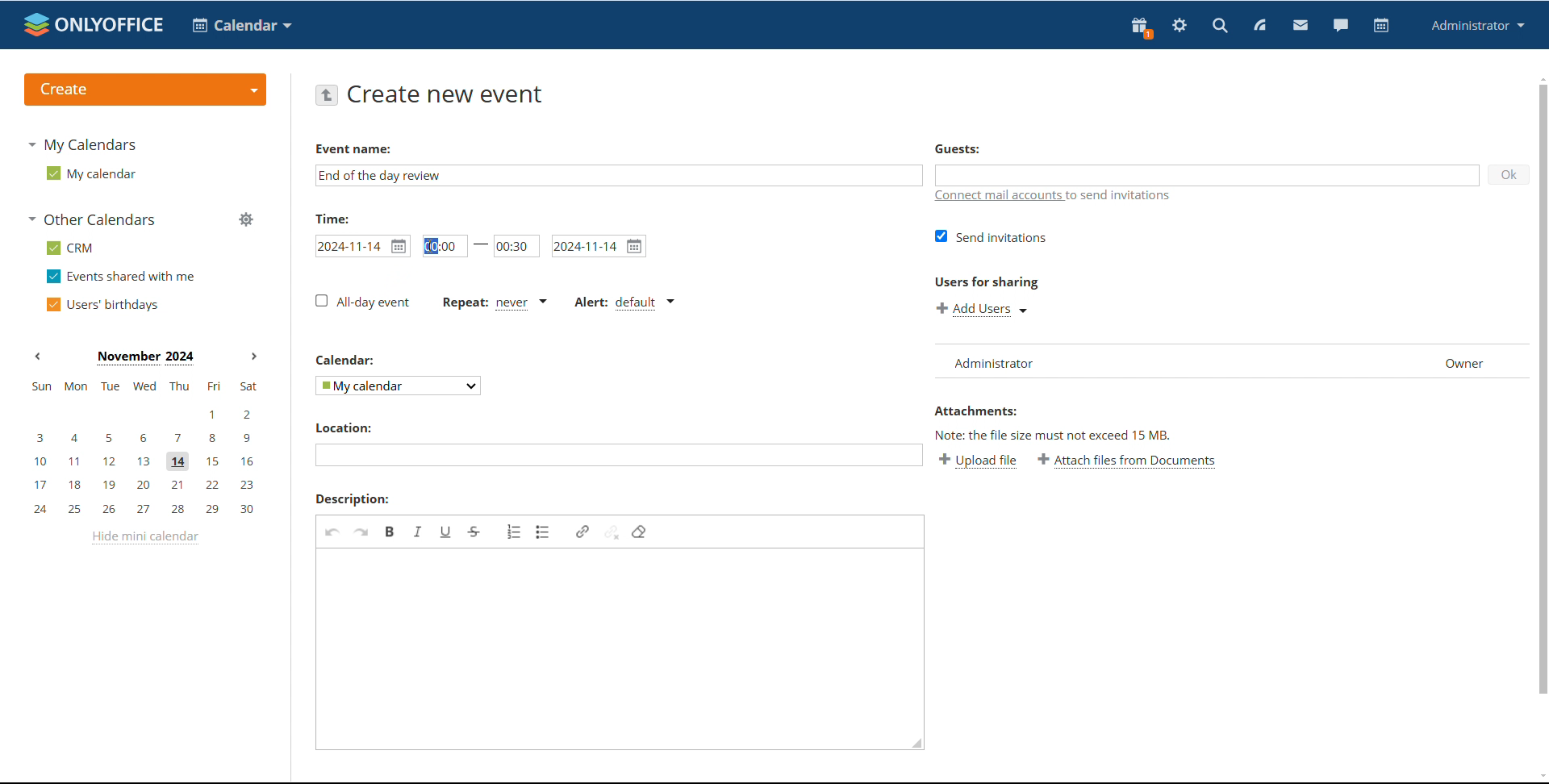 This screenshot has height=784, width=1549. What do you see at coordinates (353, 149) in the screenshot?
I see `Event name` at bounding box center [353, 149].